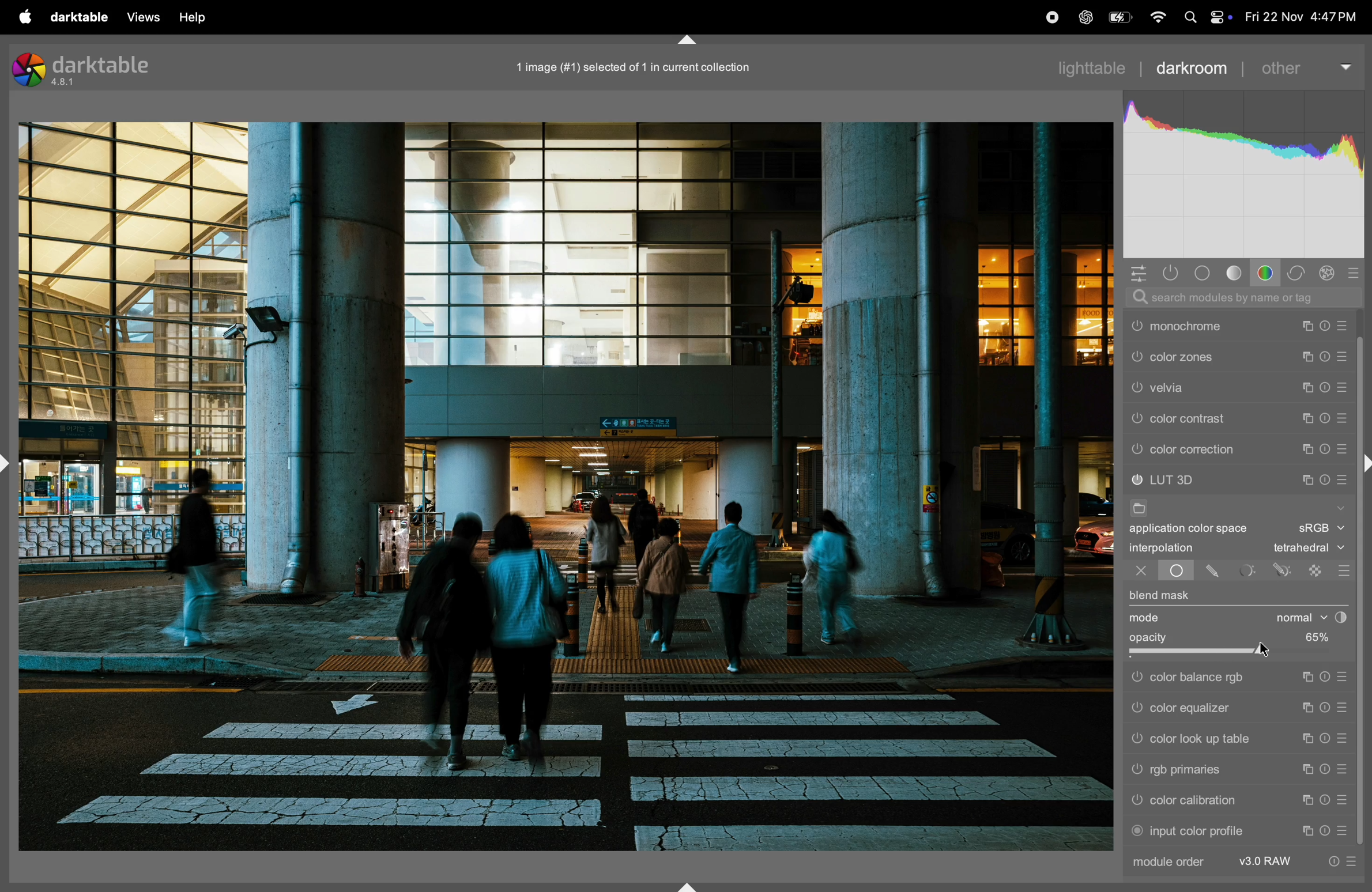 The width and height of the screenshot is (1372, 892). Describe the element at coordinates (1327, 710) in the screenshot. I see `reset` at that location.